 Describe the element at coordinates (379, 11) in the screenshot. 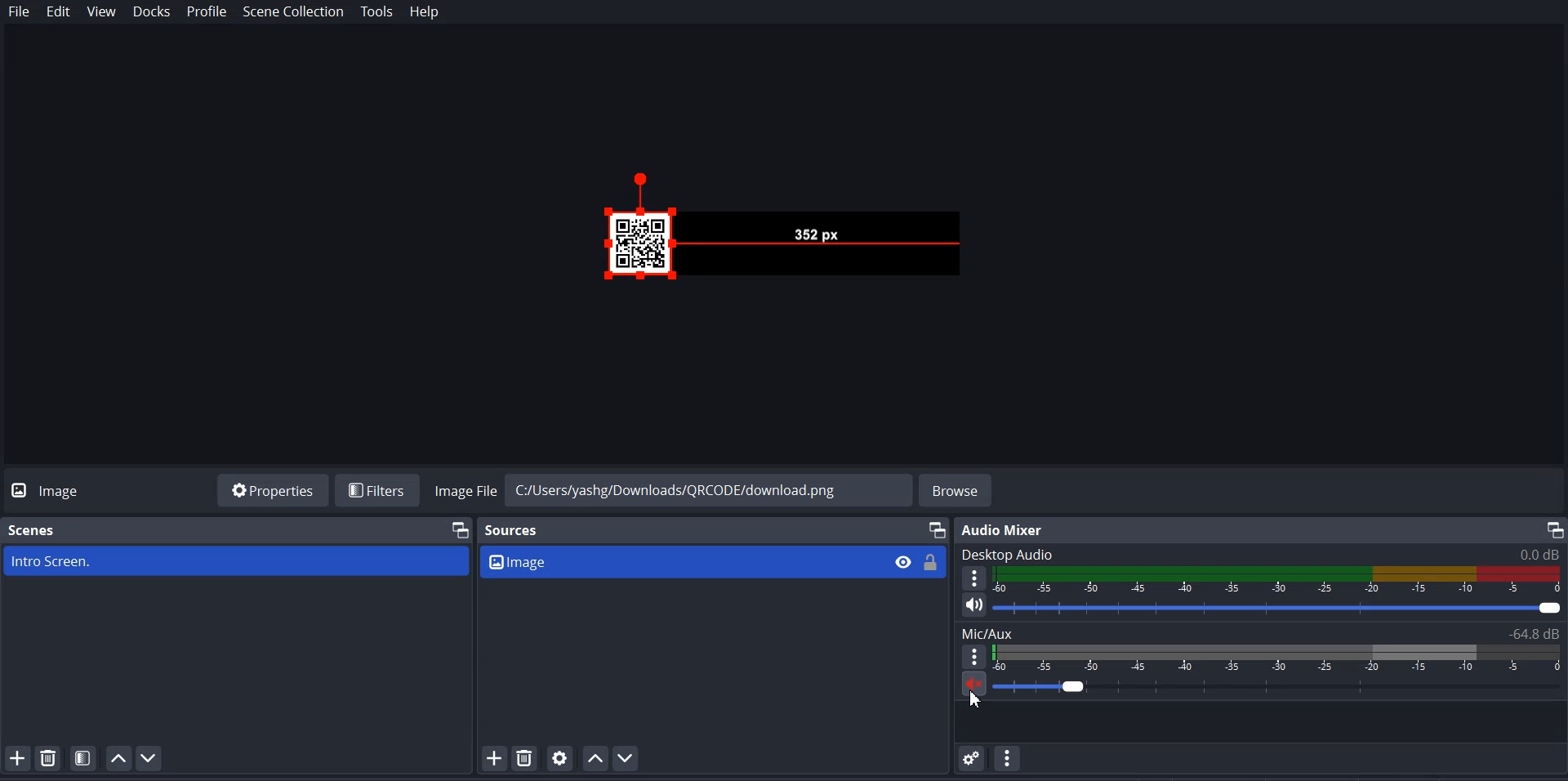

I see `Tools` at that location.